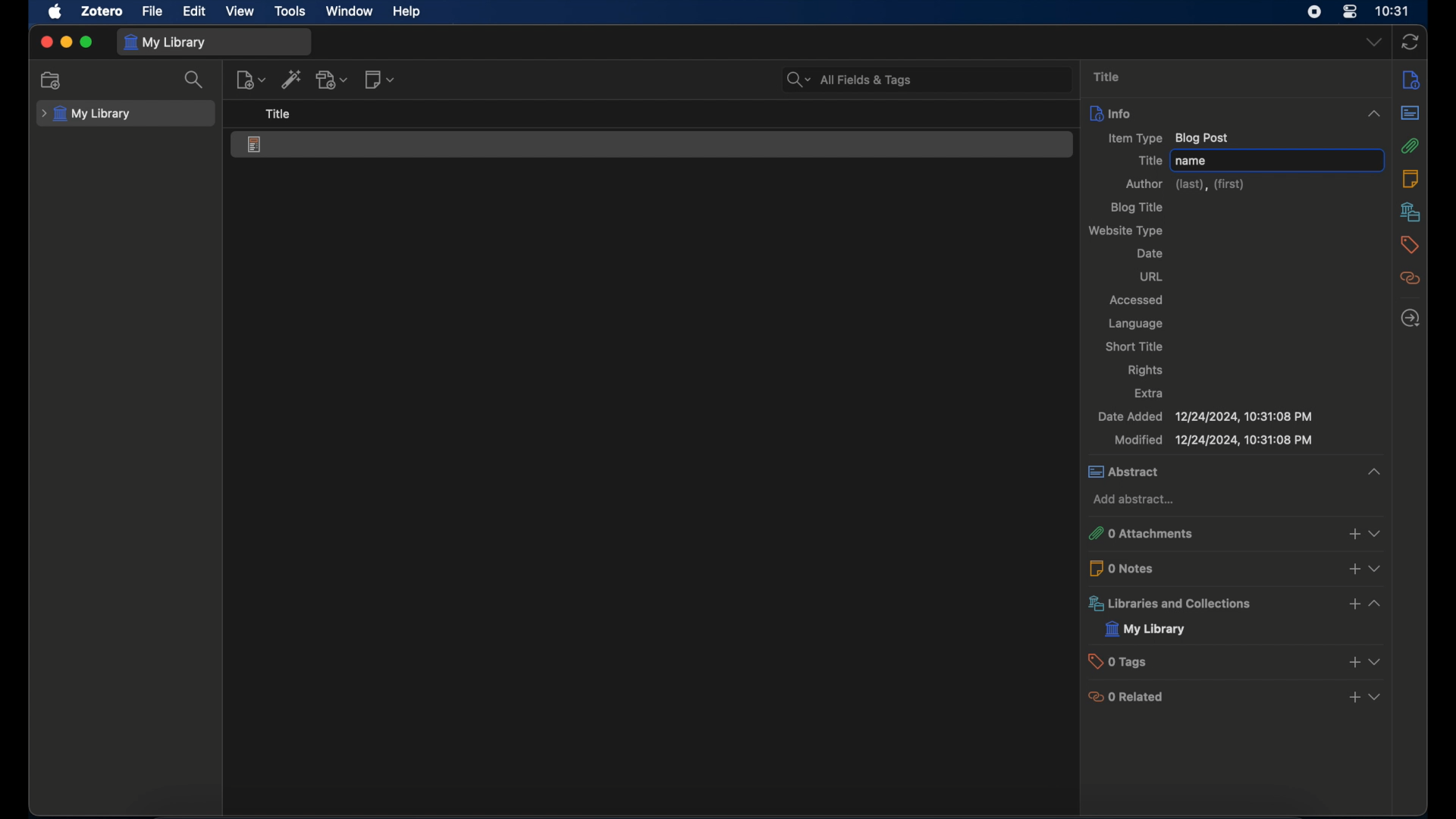 The width and height of the screenshot is (1456, 819). I want to click on name, so click(1192, 162).